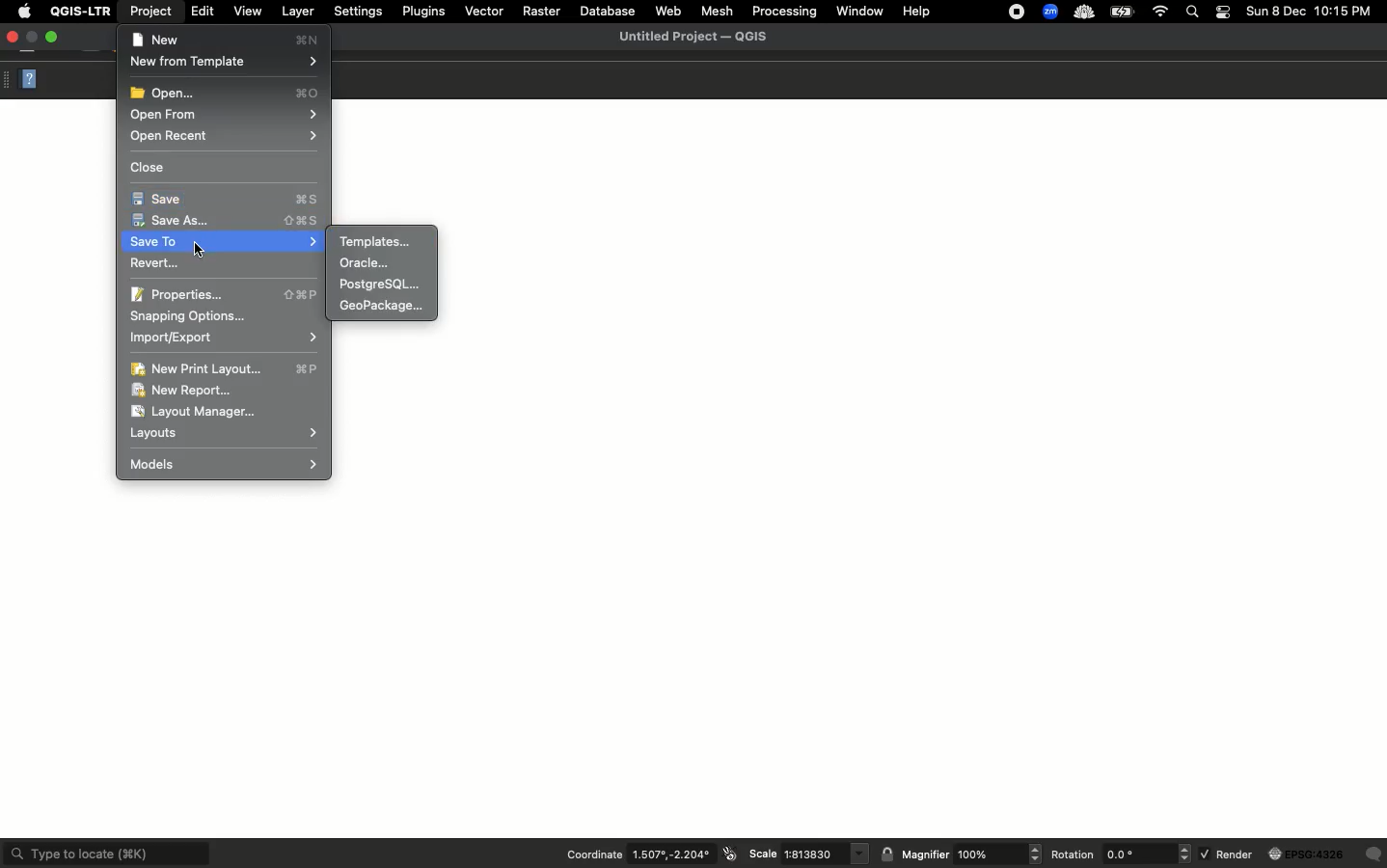  Describe the element at coordinates (378, 239) in the screenshot. I see `Templates` at that location.